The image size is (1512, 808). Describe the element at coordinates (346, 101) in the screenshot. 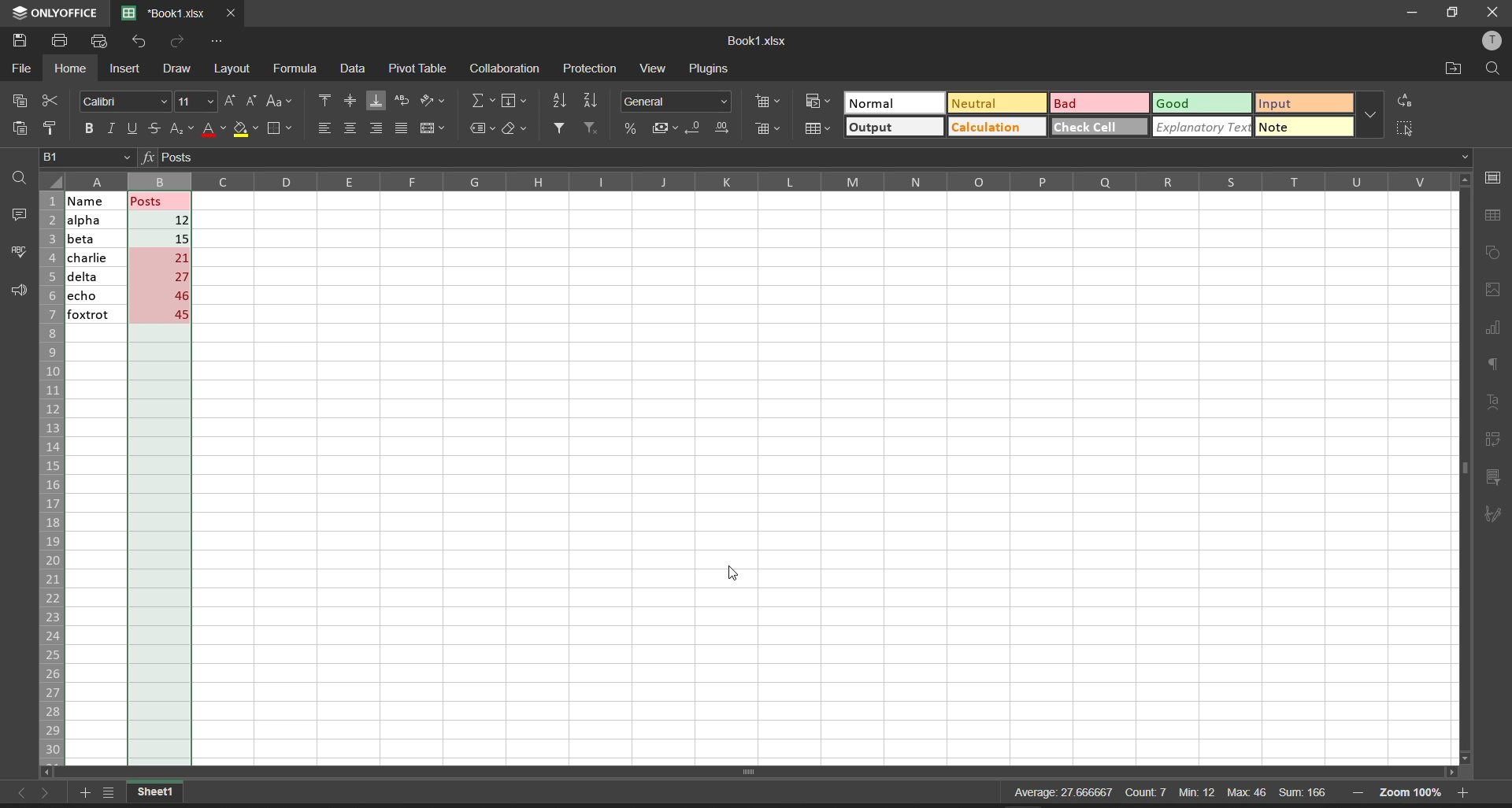

I see `align center` at that location.